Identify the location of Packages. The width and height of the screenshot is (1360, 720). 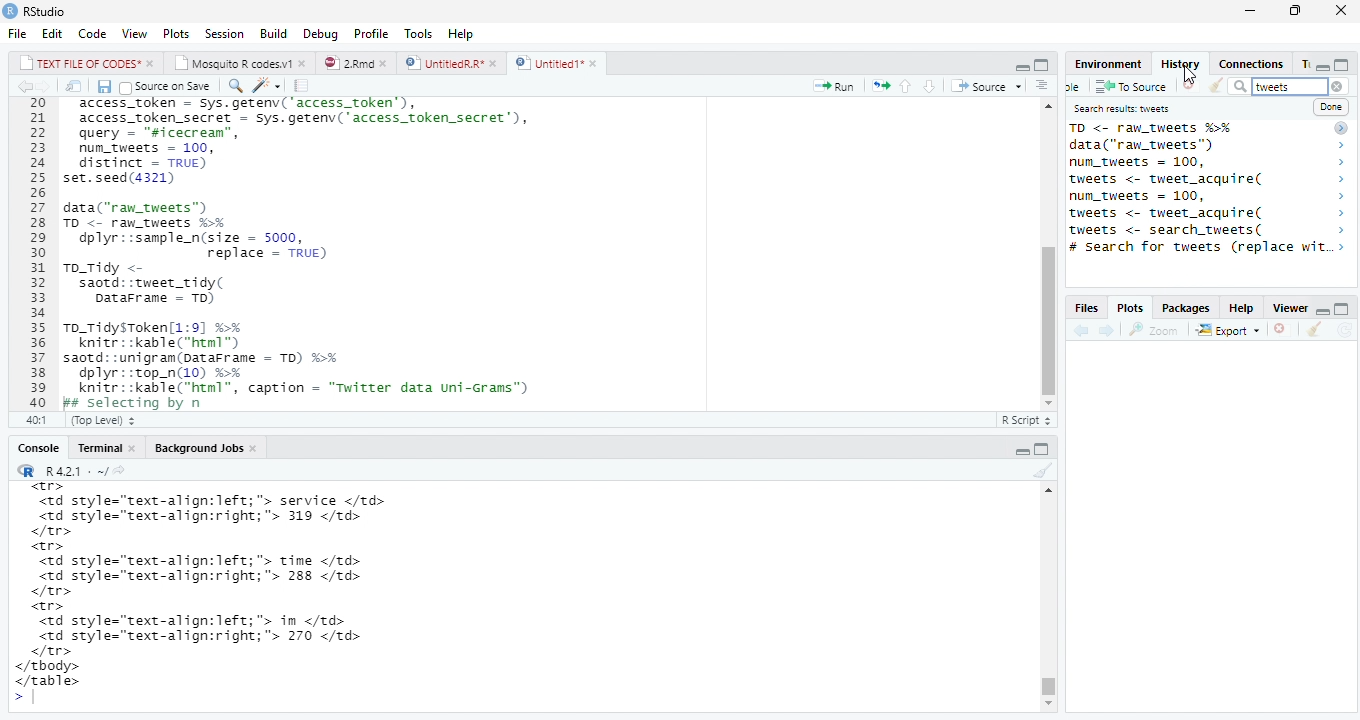
(1183, 308).